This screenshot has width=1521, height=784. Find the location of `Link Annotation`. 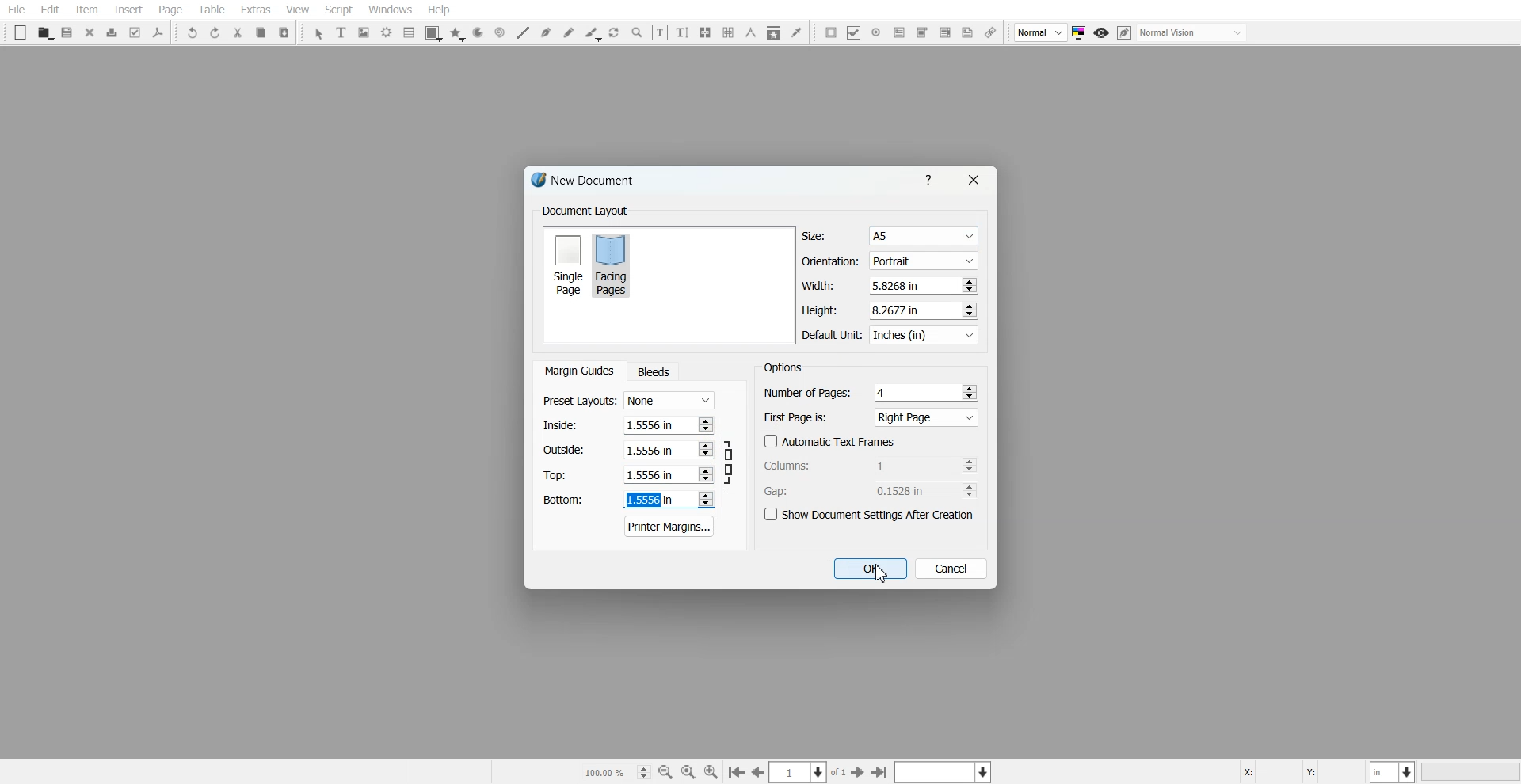

Link Annotation is located at coordinates (990, 33).